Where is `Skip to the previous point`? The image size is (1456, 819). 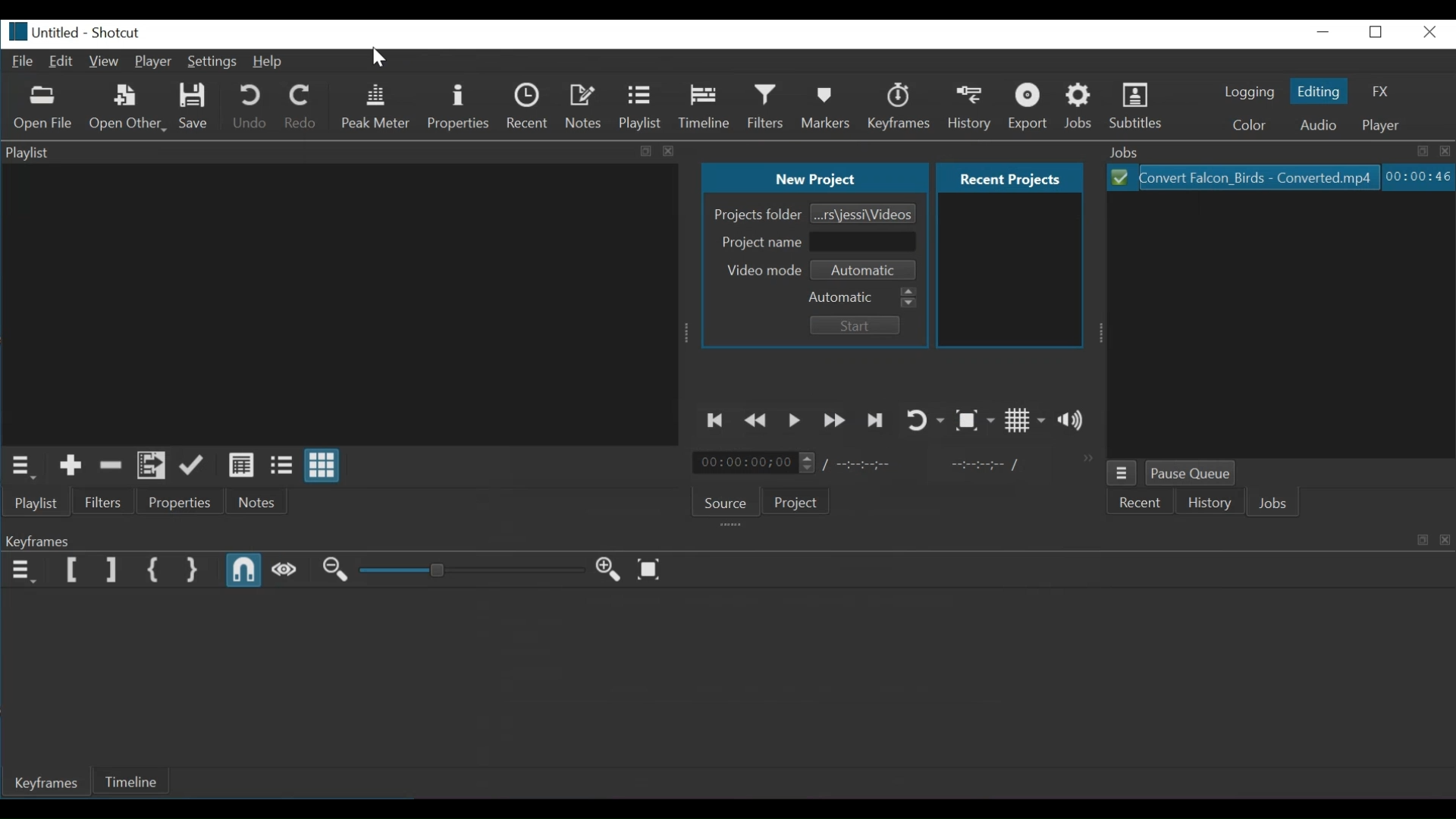
Skip to the previous point is located at coordinates (717, 422).